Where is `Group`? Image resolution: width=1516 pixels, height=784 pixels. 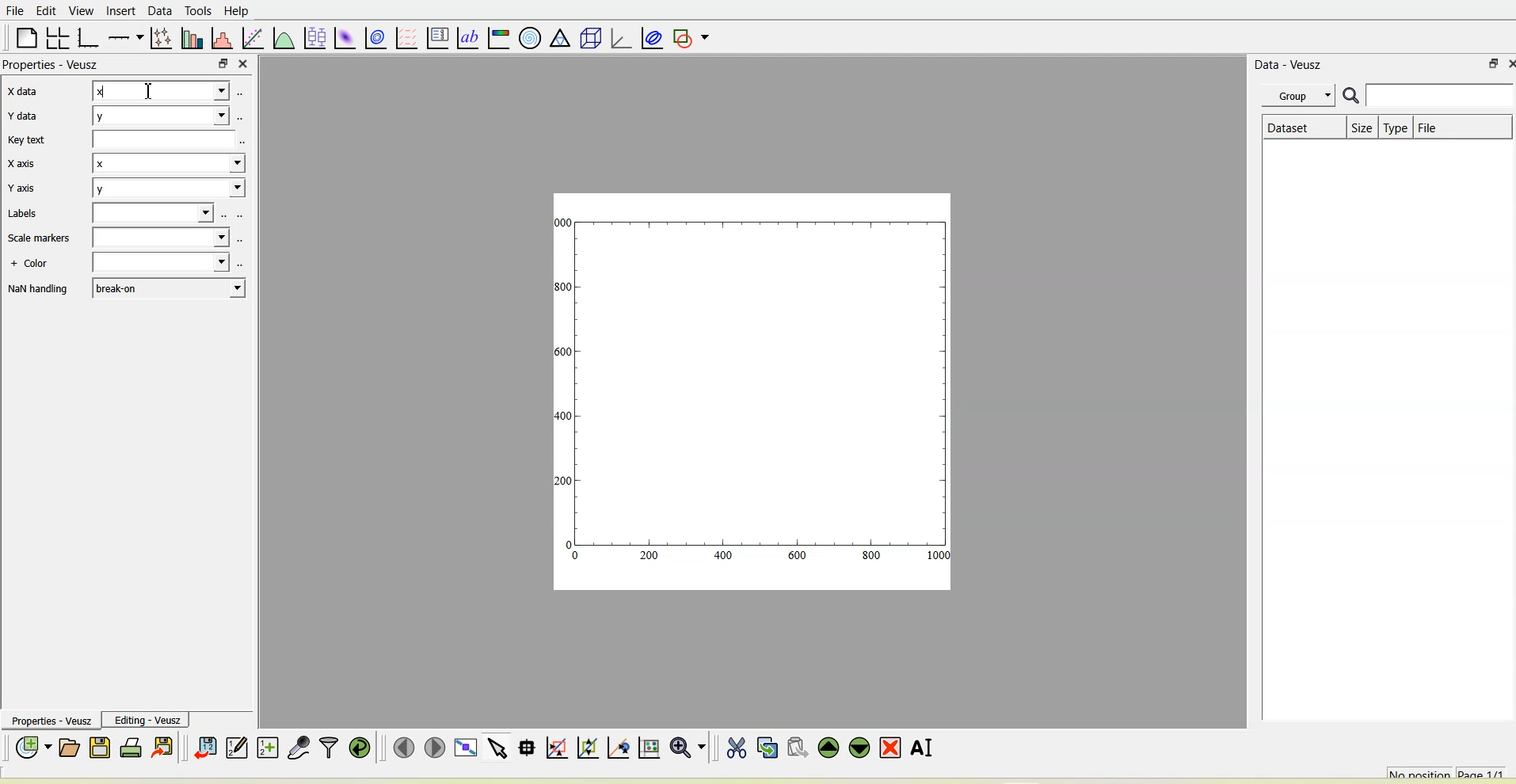 Group is located at coordinates (1301, 94).